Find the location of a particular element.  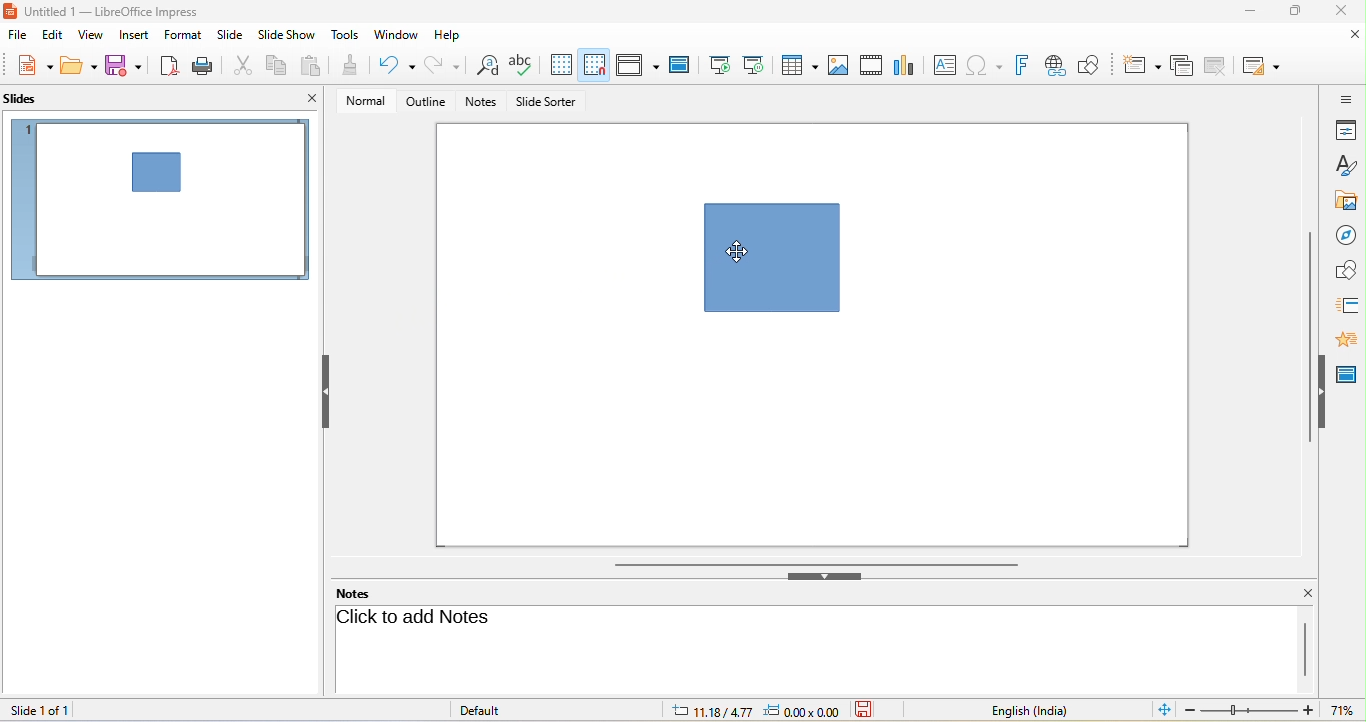

gallery is located at coordinates (1342, 198).